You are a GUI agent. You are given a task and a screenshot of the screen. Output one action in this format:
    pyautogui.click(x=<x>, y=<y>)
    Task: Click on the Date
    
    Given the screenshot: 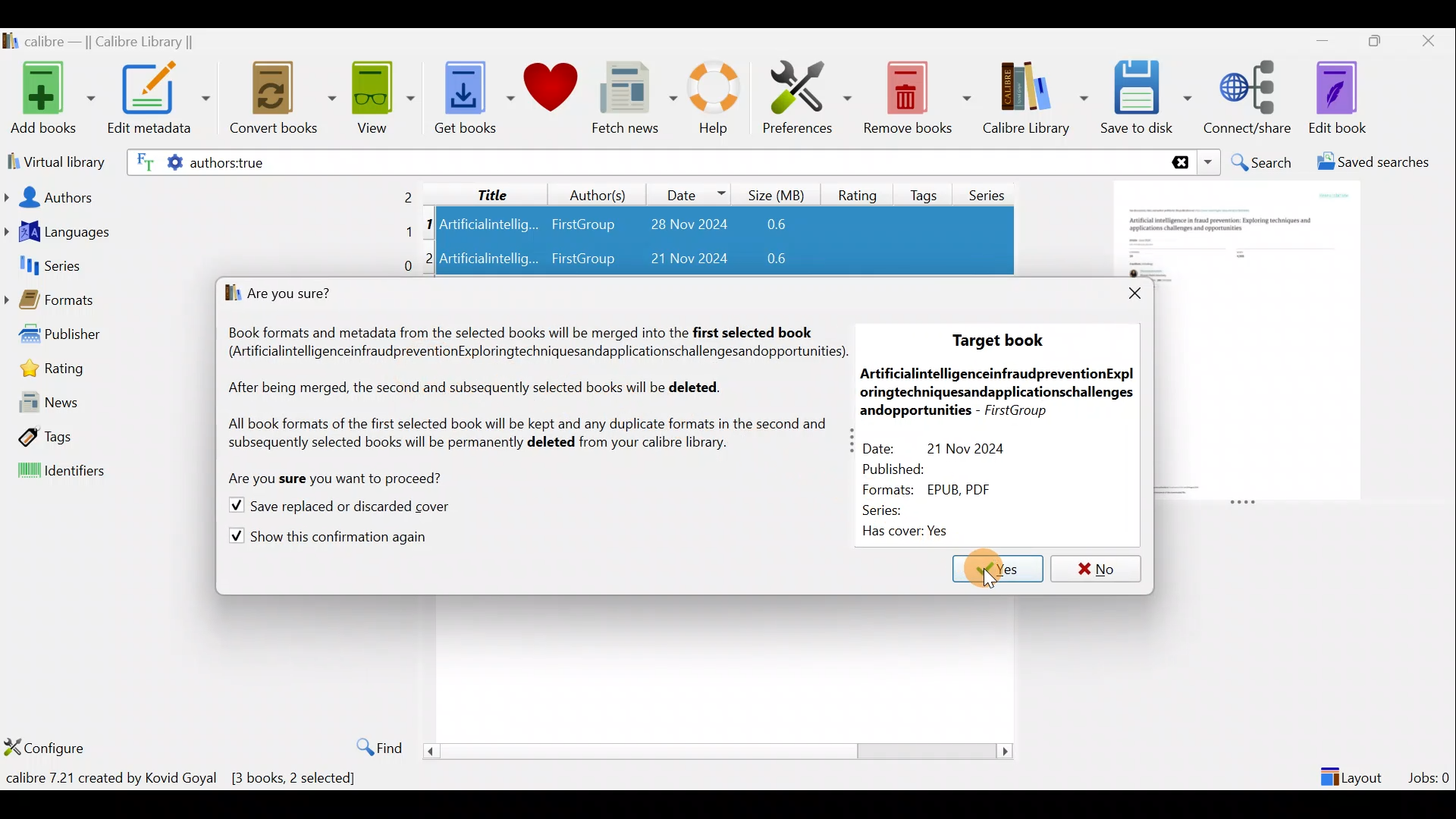 What is the action you would take?
    pyautogui.click(x=689, y=194)
    